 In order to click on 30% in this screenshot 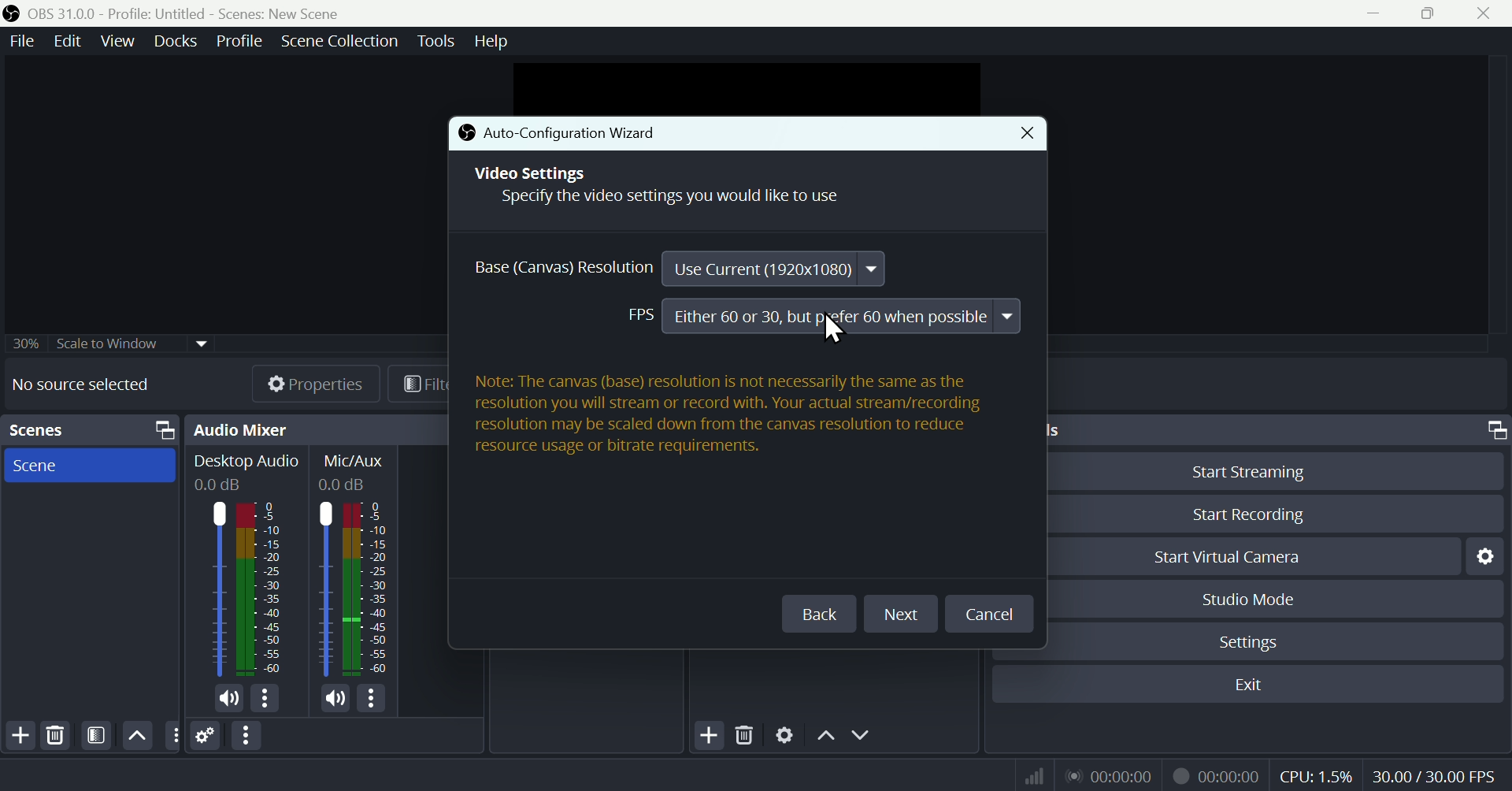, I will do `click(23, 343)`.